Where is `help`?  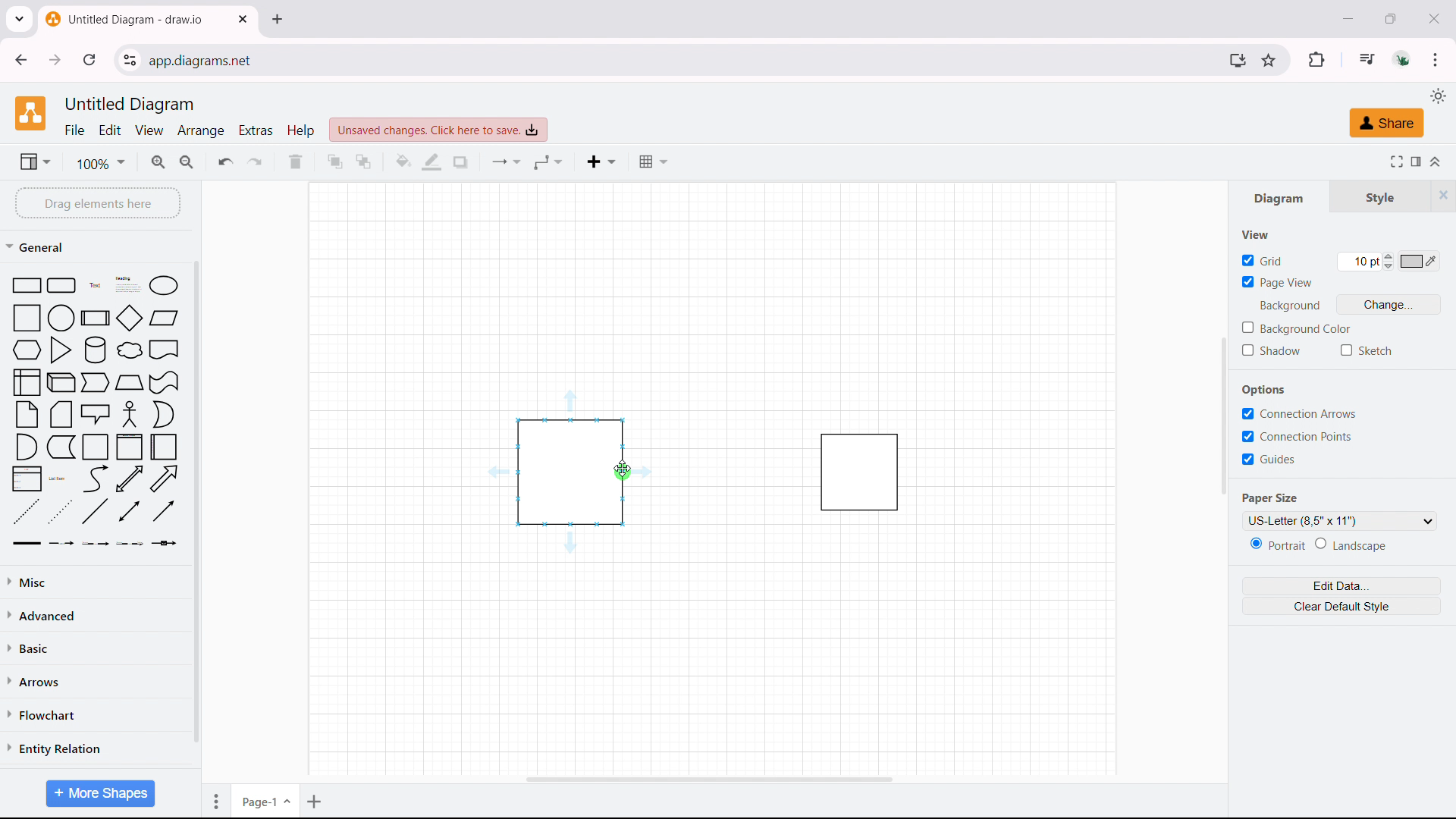
help is located at coordinates (300, 130).